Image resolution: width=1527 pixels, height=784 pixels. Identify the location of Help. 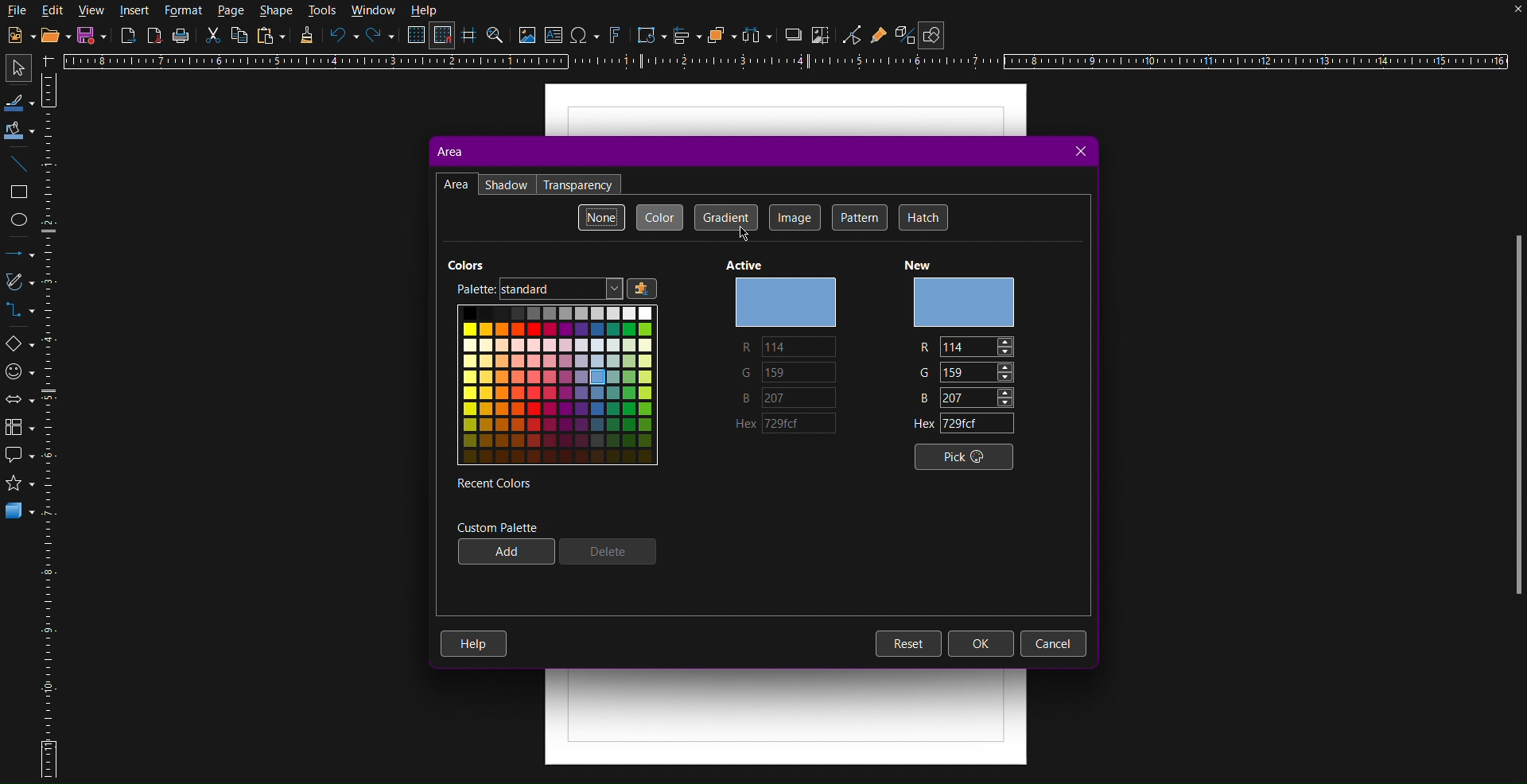
(425, 11).